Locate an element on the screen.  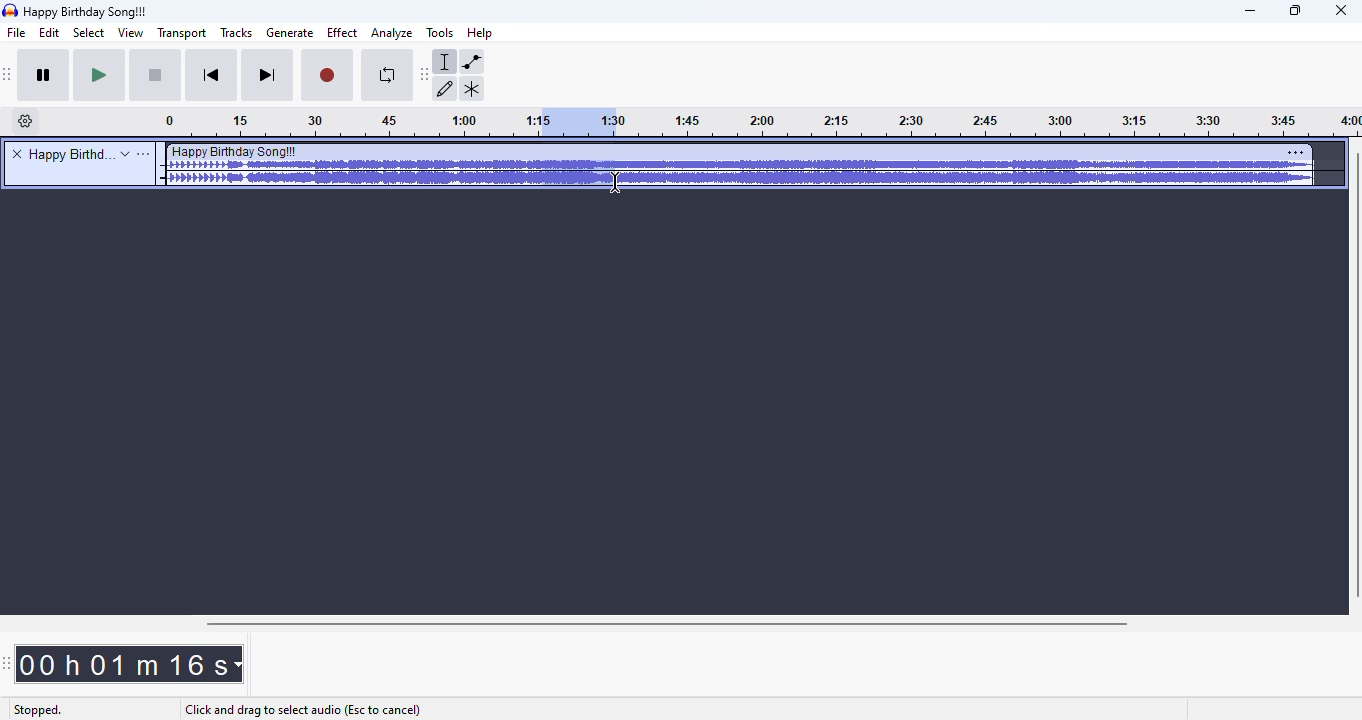
generate is located at coordinates (290, 33).